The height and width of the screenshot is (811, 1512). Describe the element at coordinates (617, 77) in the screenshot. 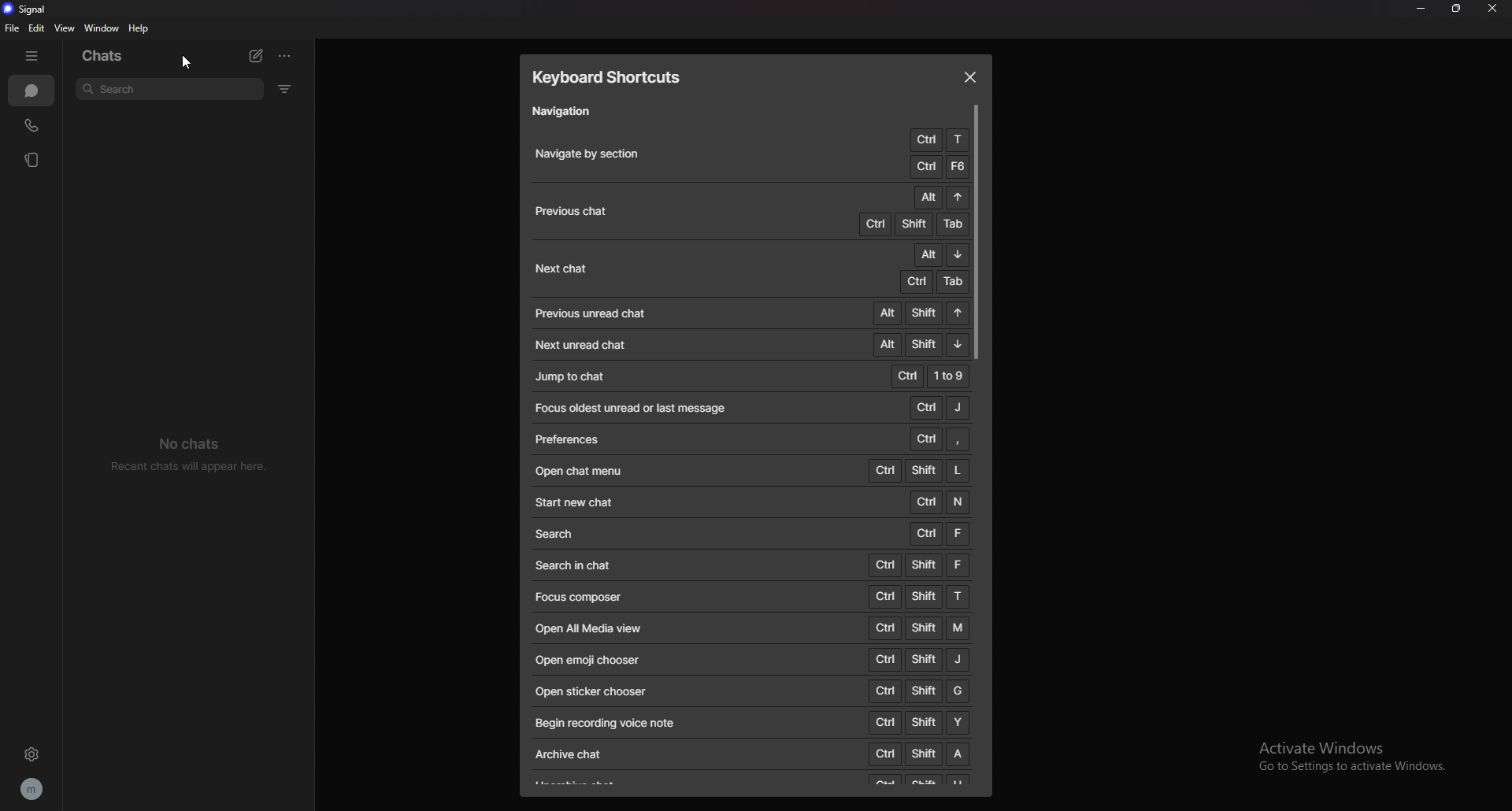

I see `keyboard shortcuts` at that location.